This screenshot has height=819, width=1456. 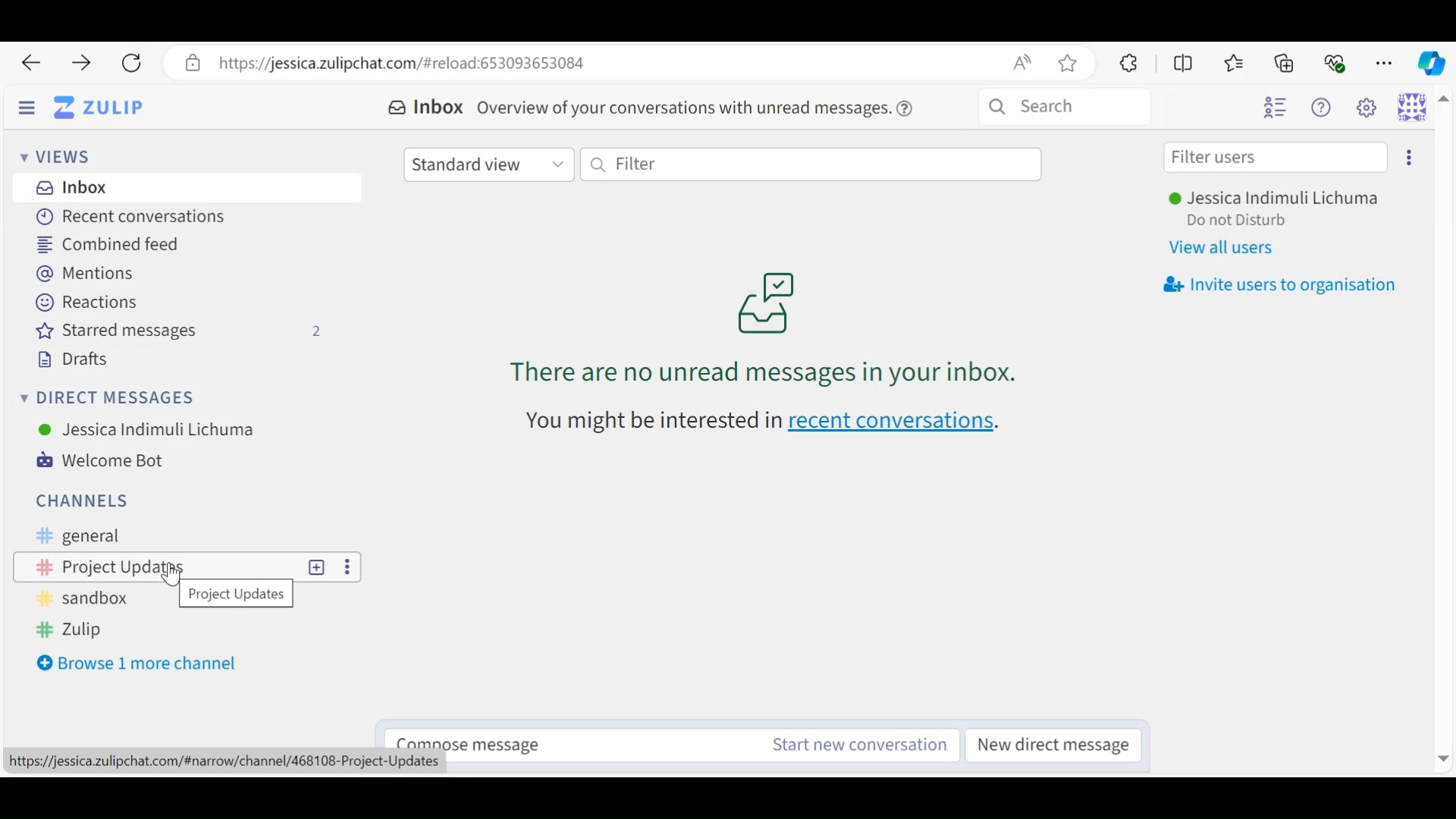 I want to click on Reload, so click(x=130, y=64).